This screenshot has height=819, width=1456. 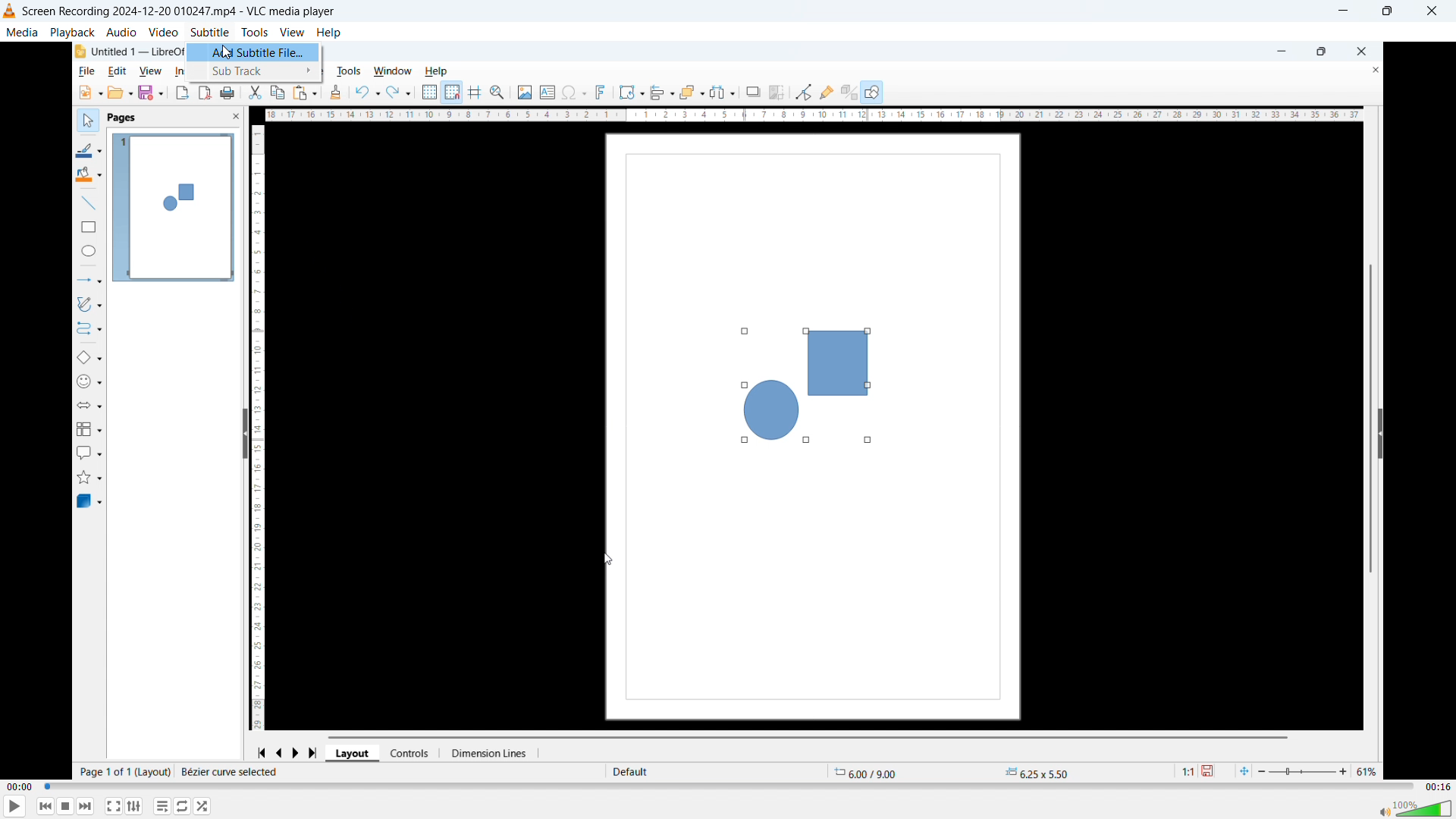 What do you see at coordinates (45, 806) in the screenshot?
I see `Backward or previous media ` at bounding box center [45, 806].